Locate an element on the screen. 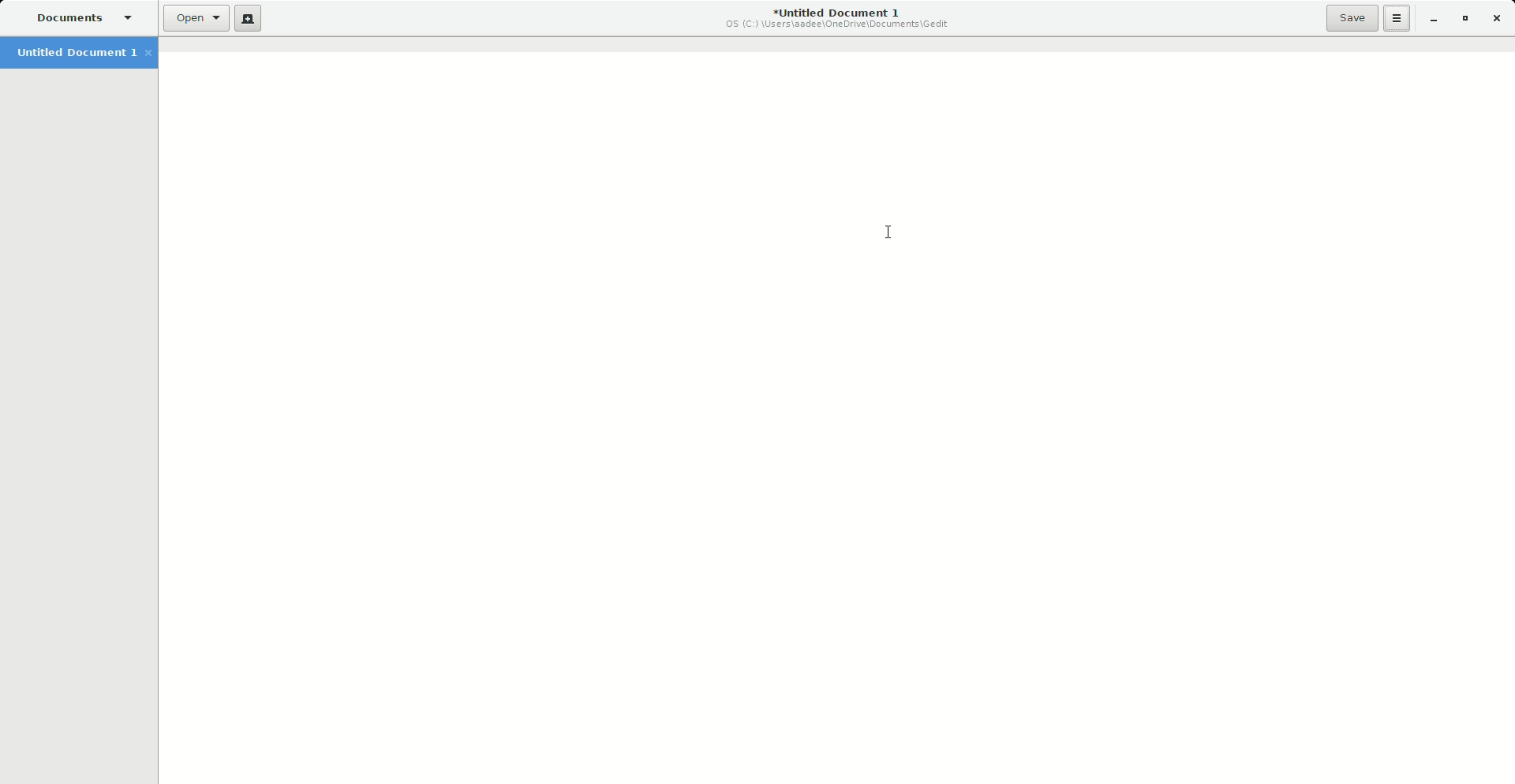 Image resolution: width=1515 pixels, height=784 pixels. New is located at coordinates (249, 21).